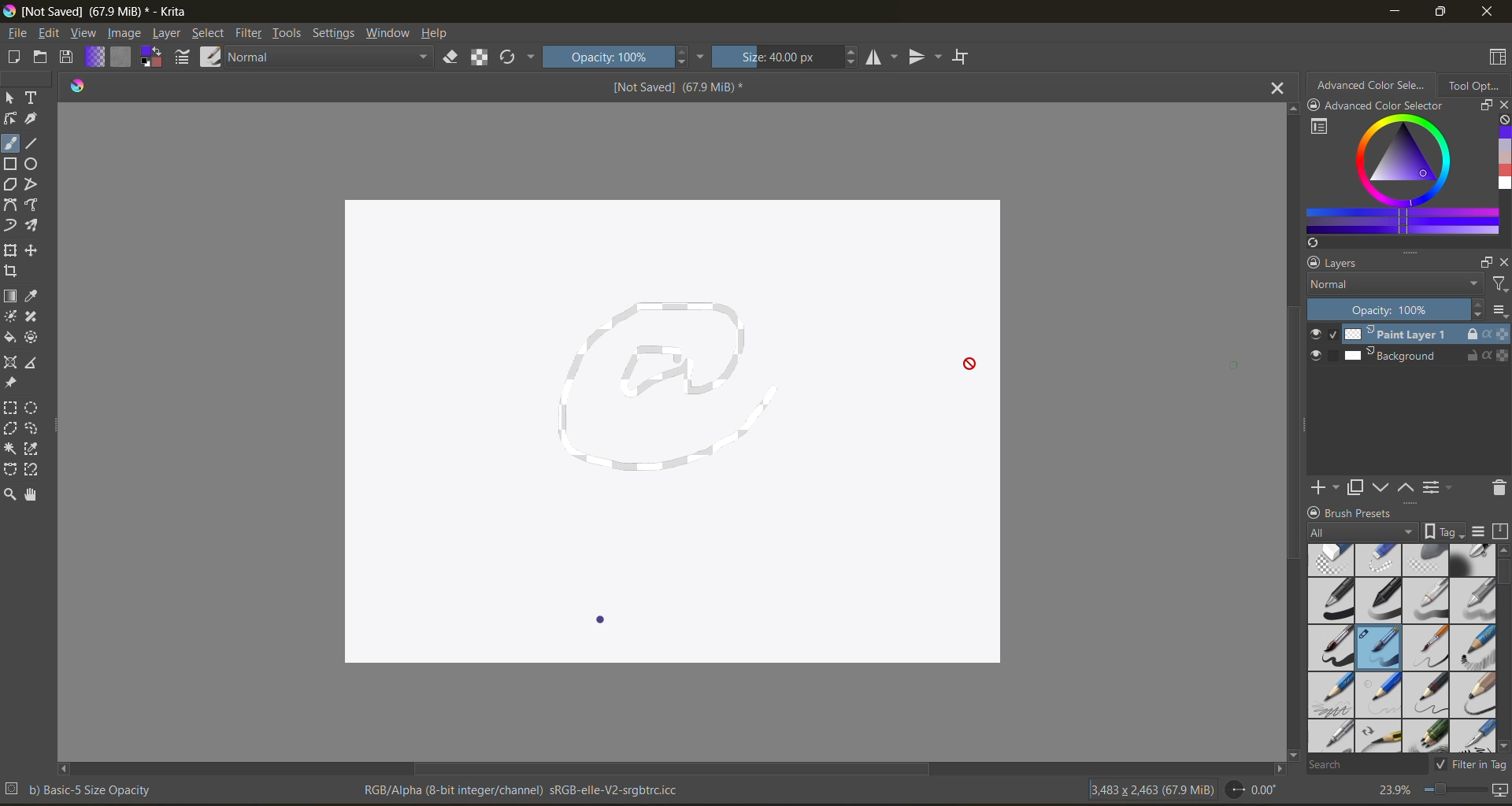 The height and width of the screenshot is (806, 1512). What do you see at coordinates (963, 58) in the screenshot?
I see `wrap around mode` at bounding box center [963, 58].